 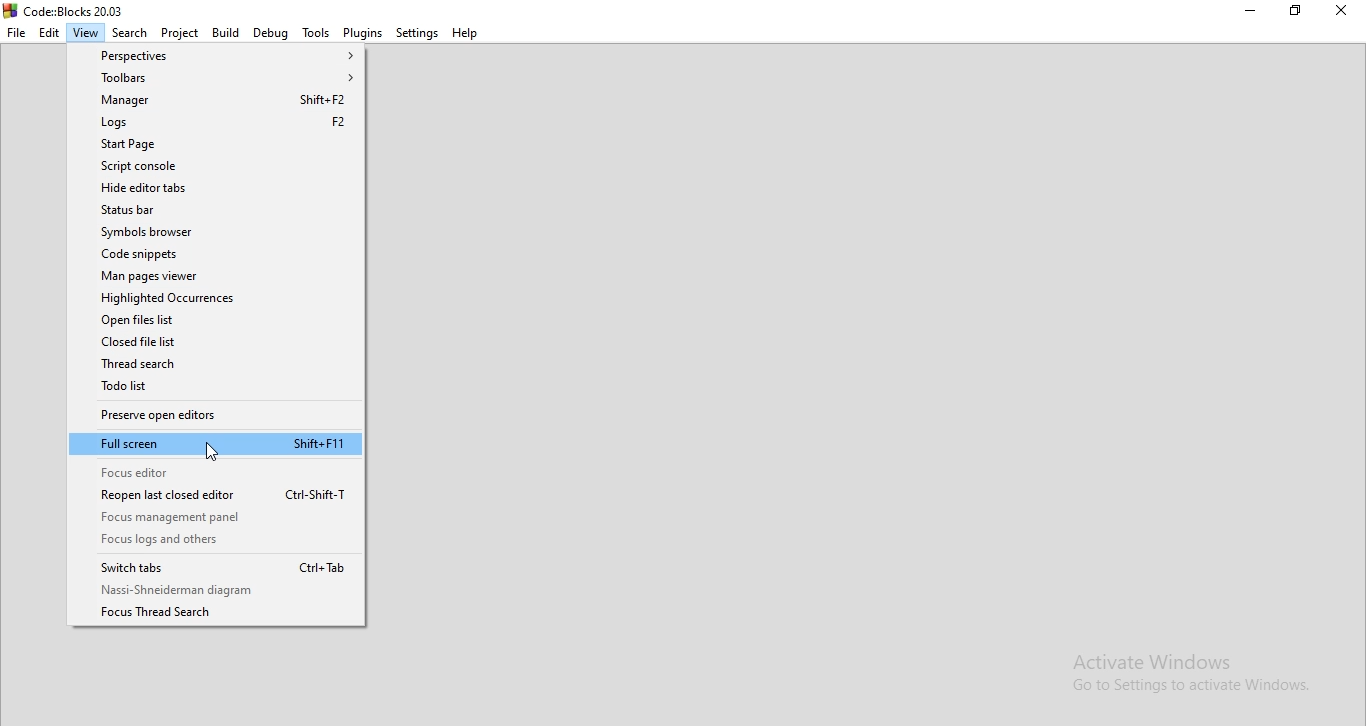 What do you see at coordinates (364, 31) in the screenshot?
I see `Plugins ` at bounding box center [364, 31].